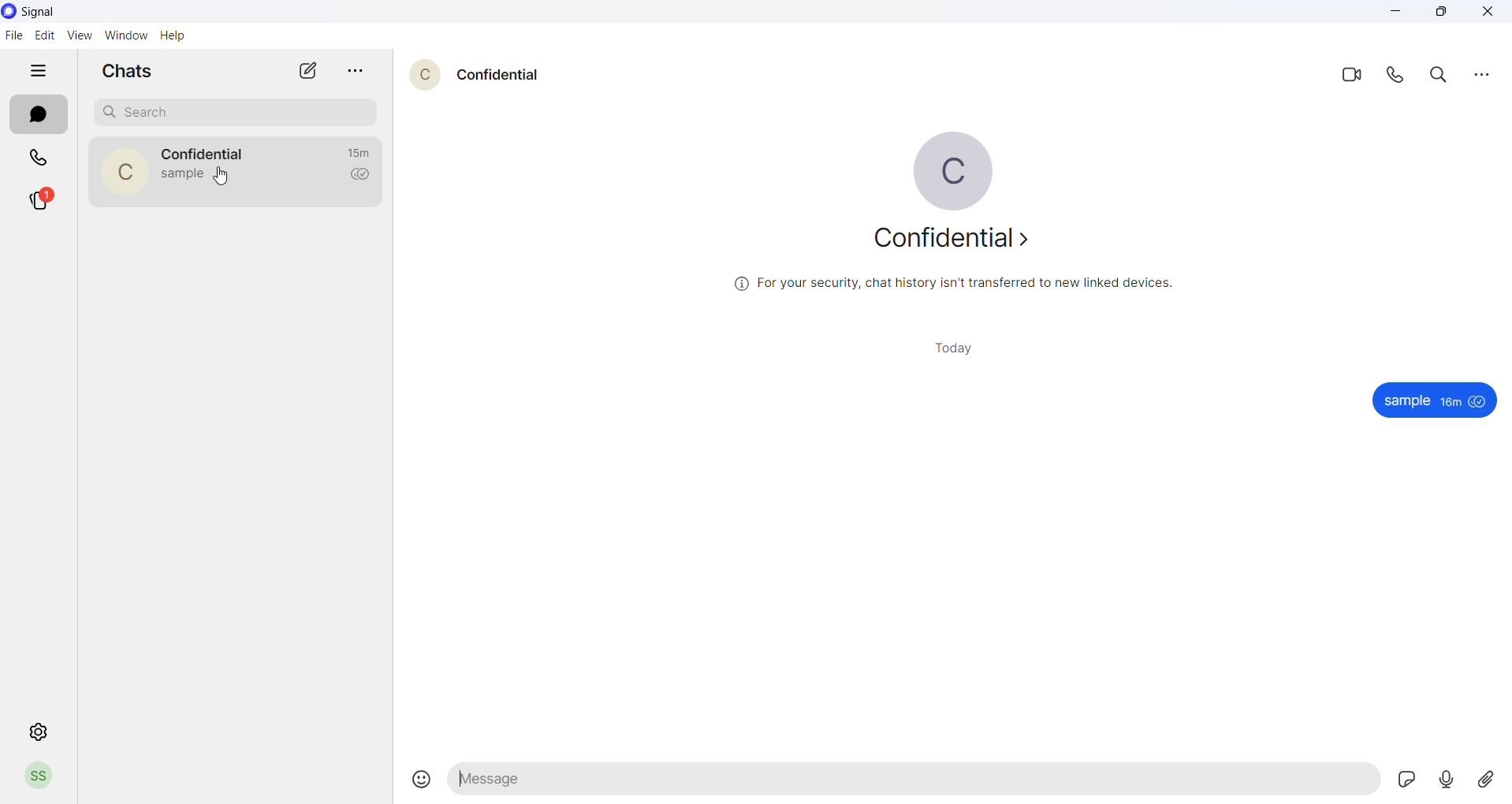  What do you see at coordinates (1479, 403) in the screenshot?
I see `seen` at bounding box center [1479, 403].